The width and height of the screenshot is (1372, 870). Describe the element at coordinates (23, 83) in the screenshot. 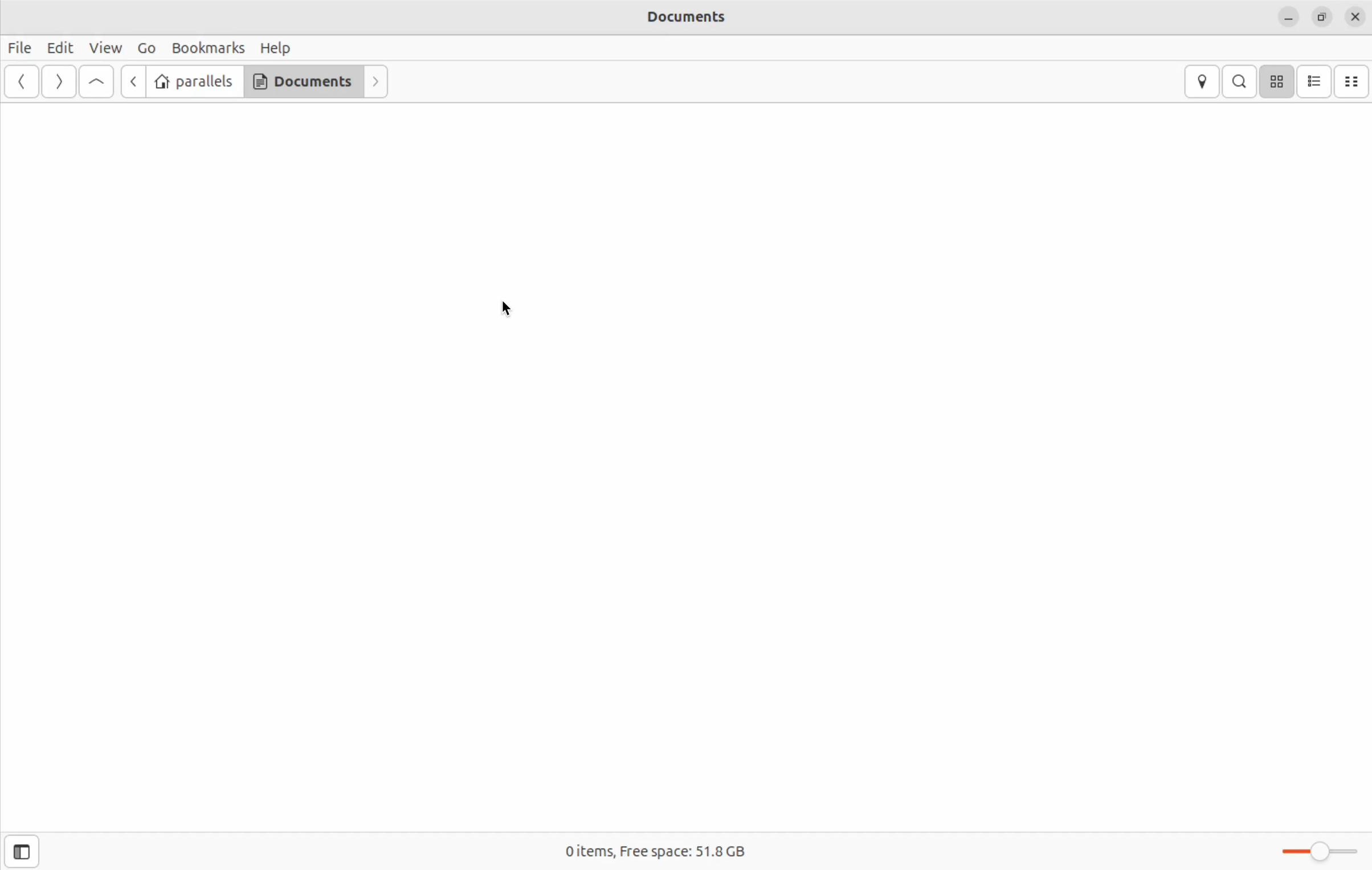

I see `back ward` at that location.